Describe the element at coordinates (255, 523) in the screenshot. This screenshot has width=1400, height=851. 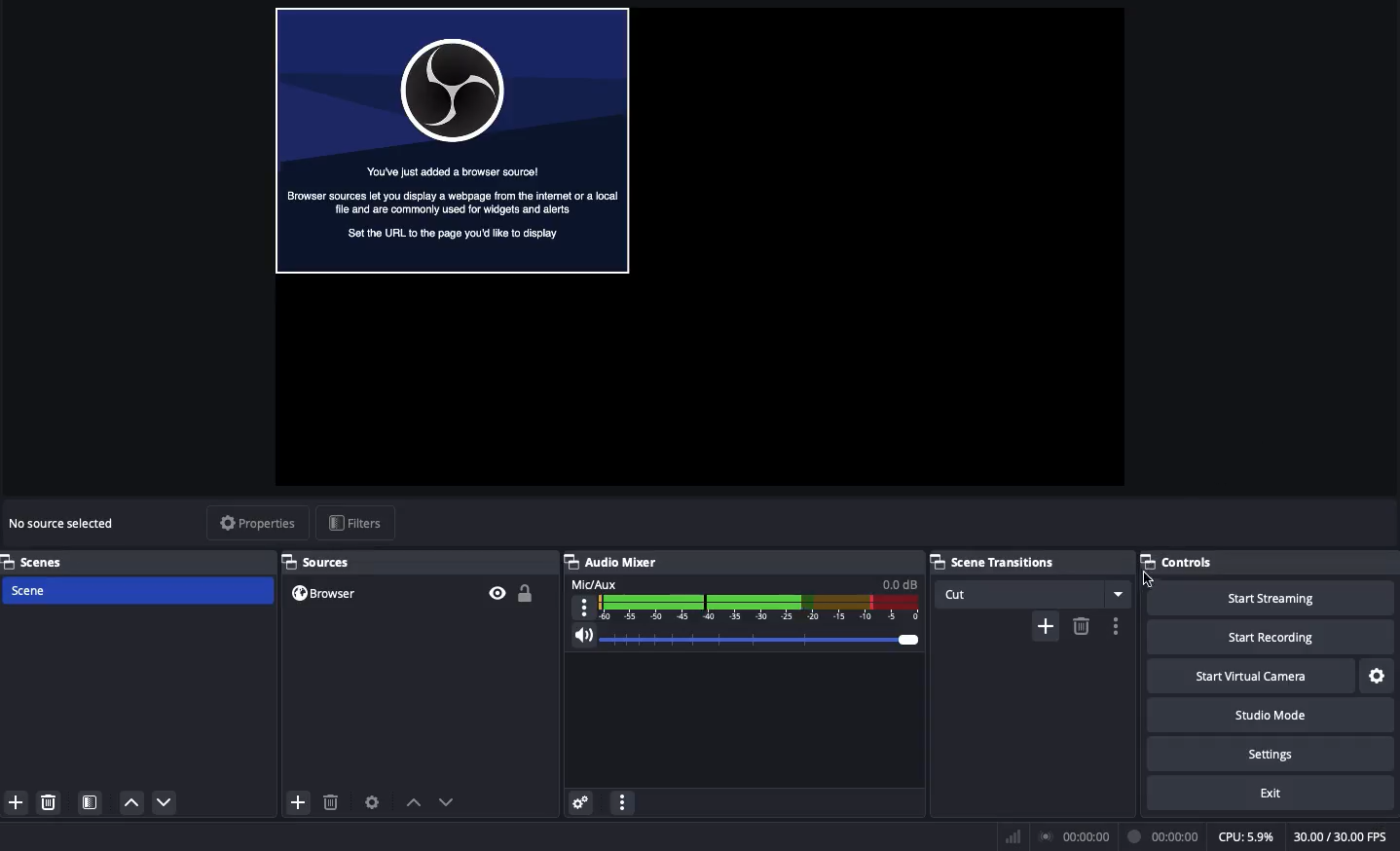
I see `Properties` at that location.